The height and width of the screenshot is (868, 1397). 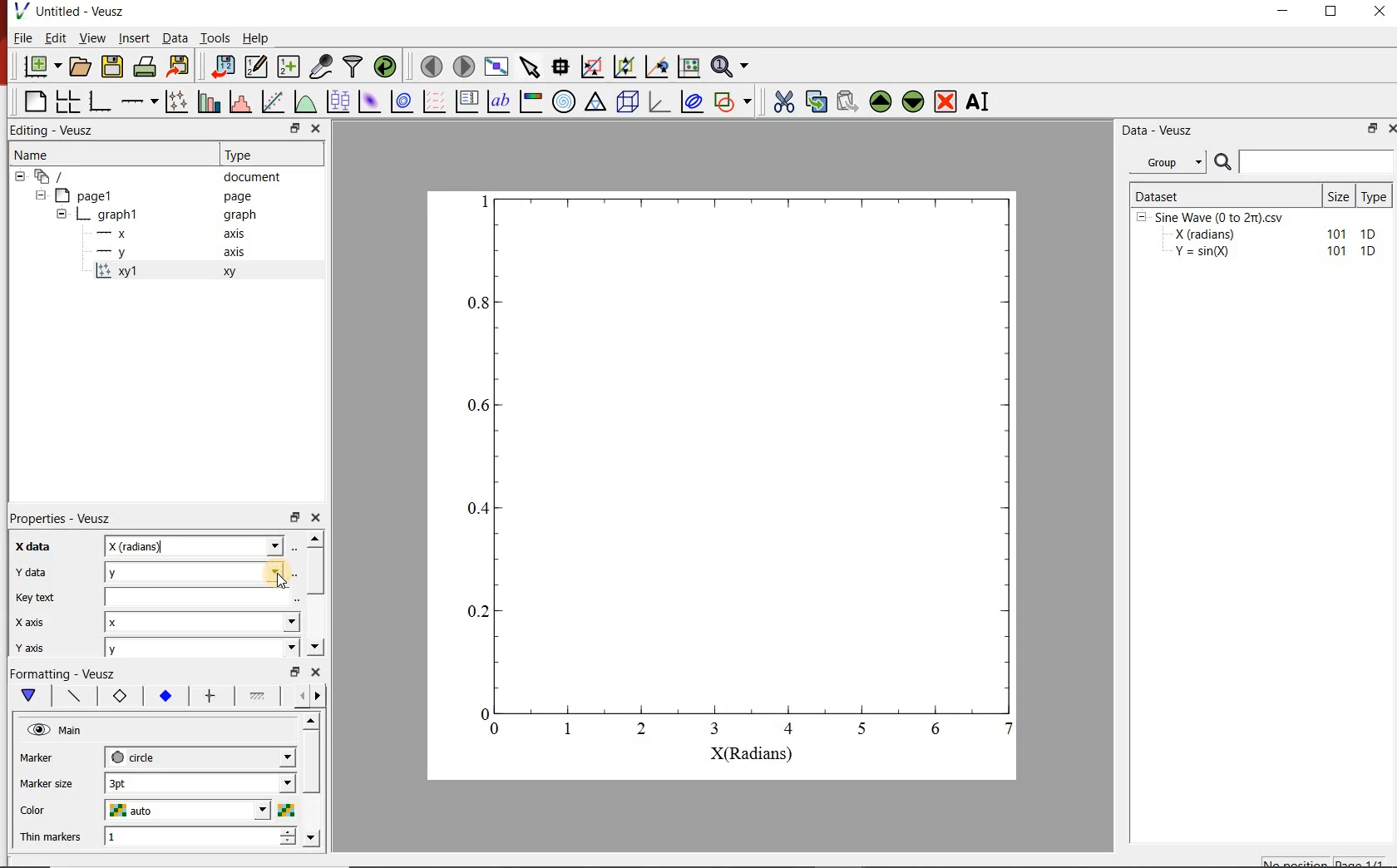 What do you see at coordinates (200, 571) in the screenshot?
I see `Auto` at bounding box center [200, 571].